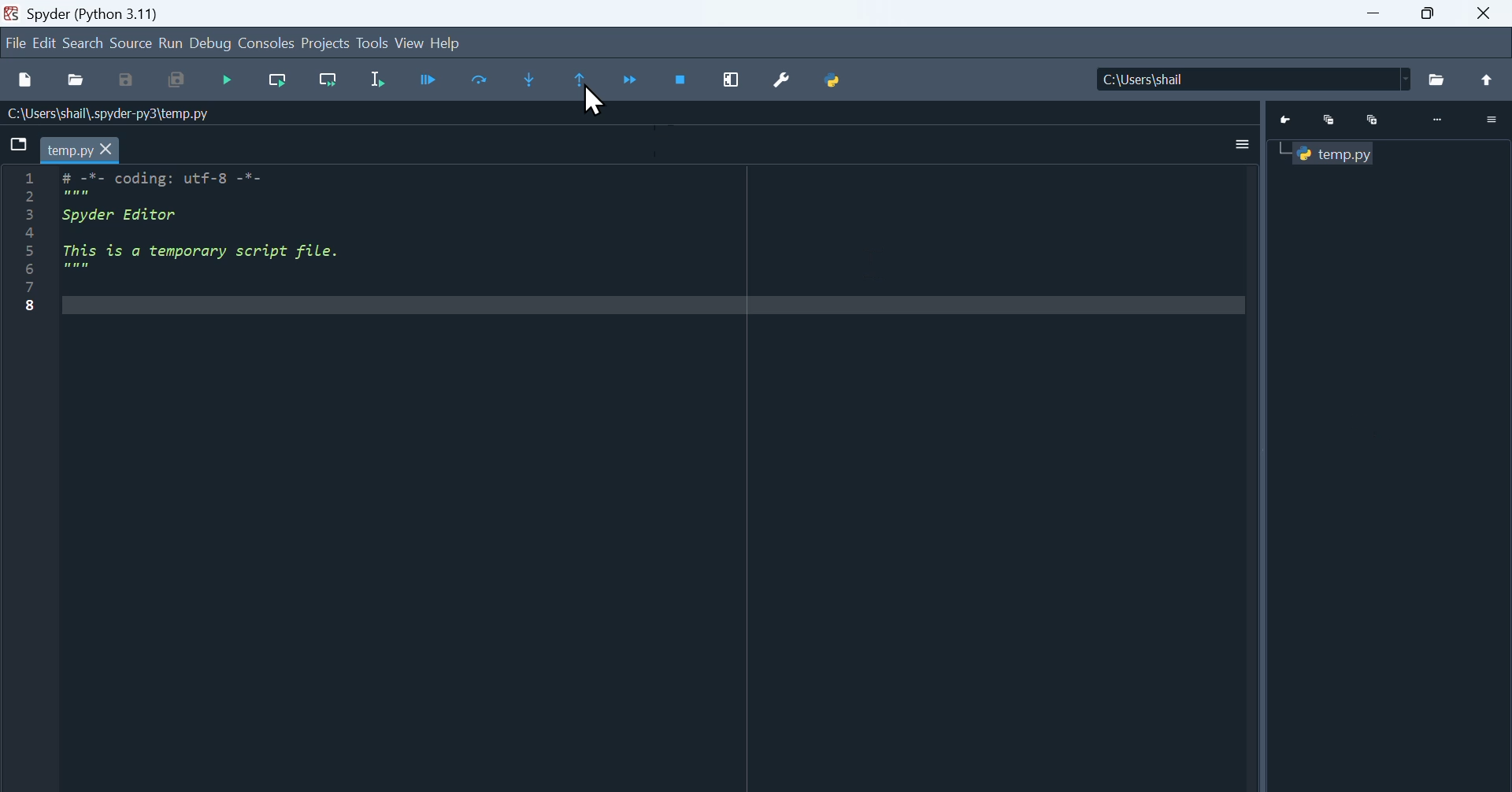 Image resolution: width=1512 pixels, height=792 pixels. Describe the element at coordinates (1487, 79) in the screenshot. I see `Up to` at that location.